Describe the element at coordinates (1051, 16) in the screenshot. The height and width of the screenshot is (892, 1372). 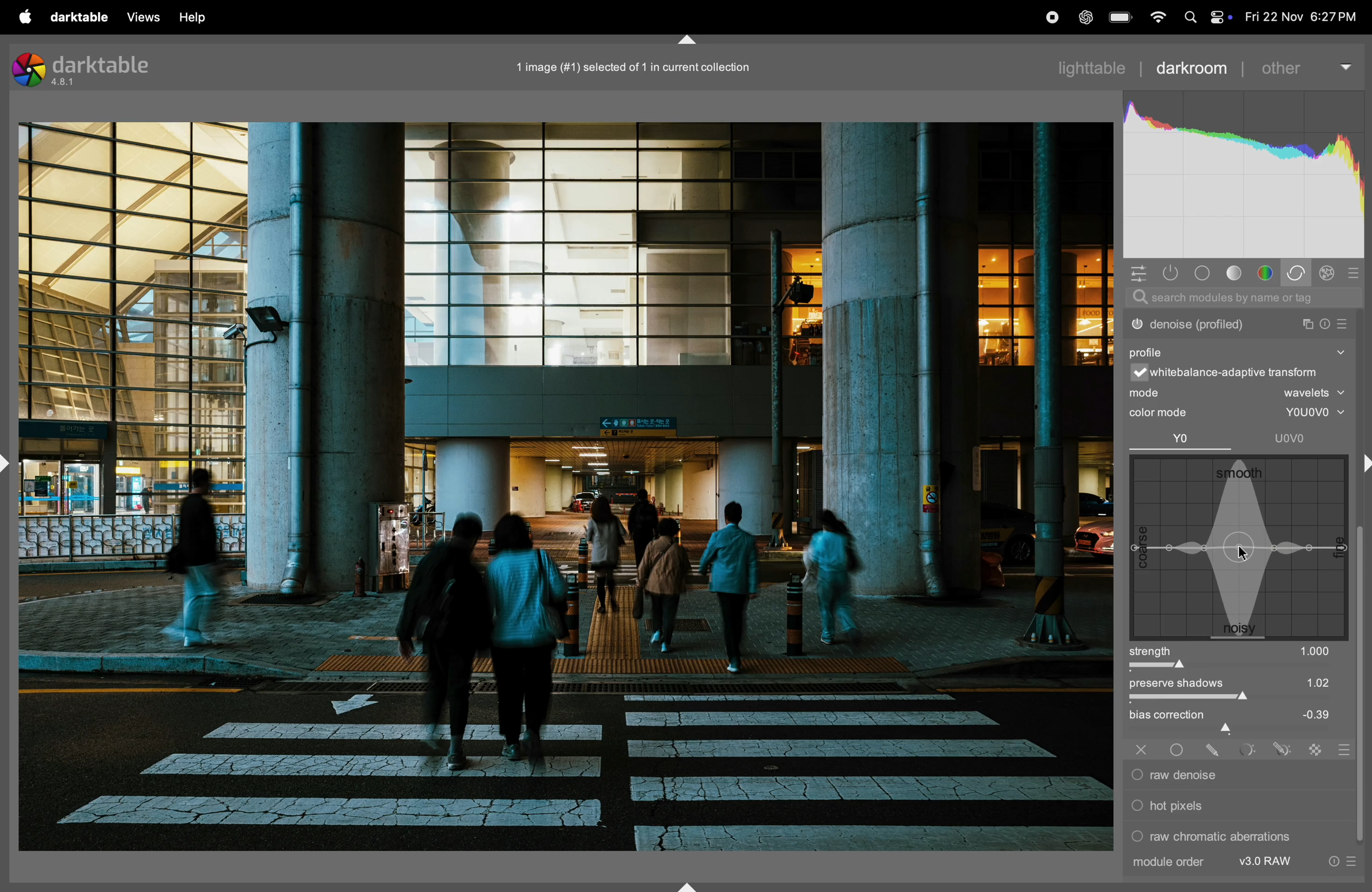
I see `record` at that location.